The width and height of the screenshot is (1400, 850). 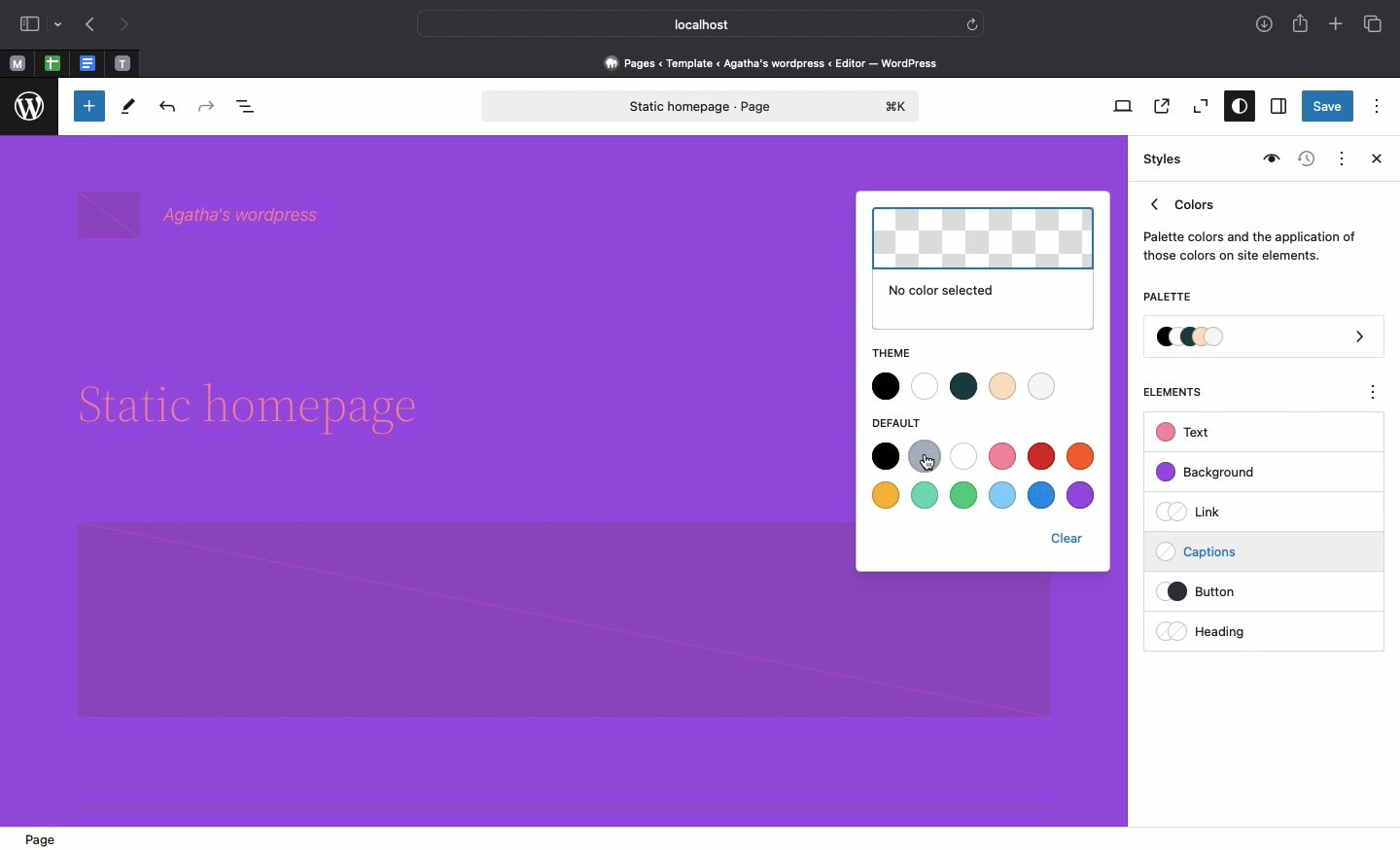 What do you see at coordinates (1338, 26) in the screenshot?
I see `Add new tab` at bounding box center [1338, 26].